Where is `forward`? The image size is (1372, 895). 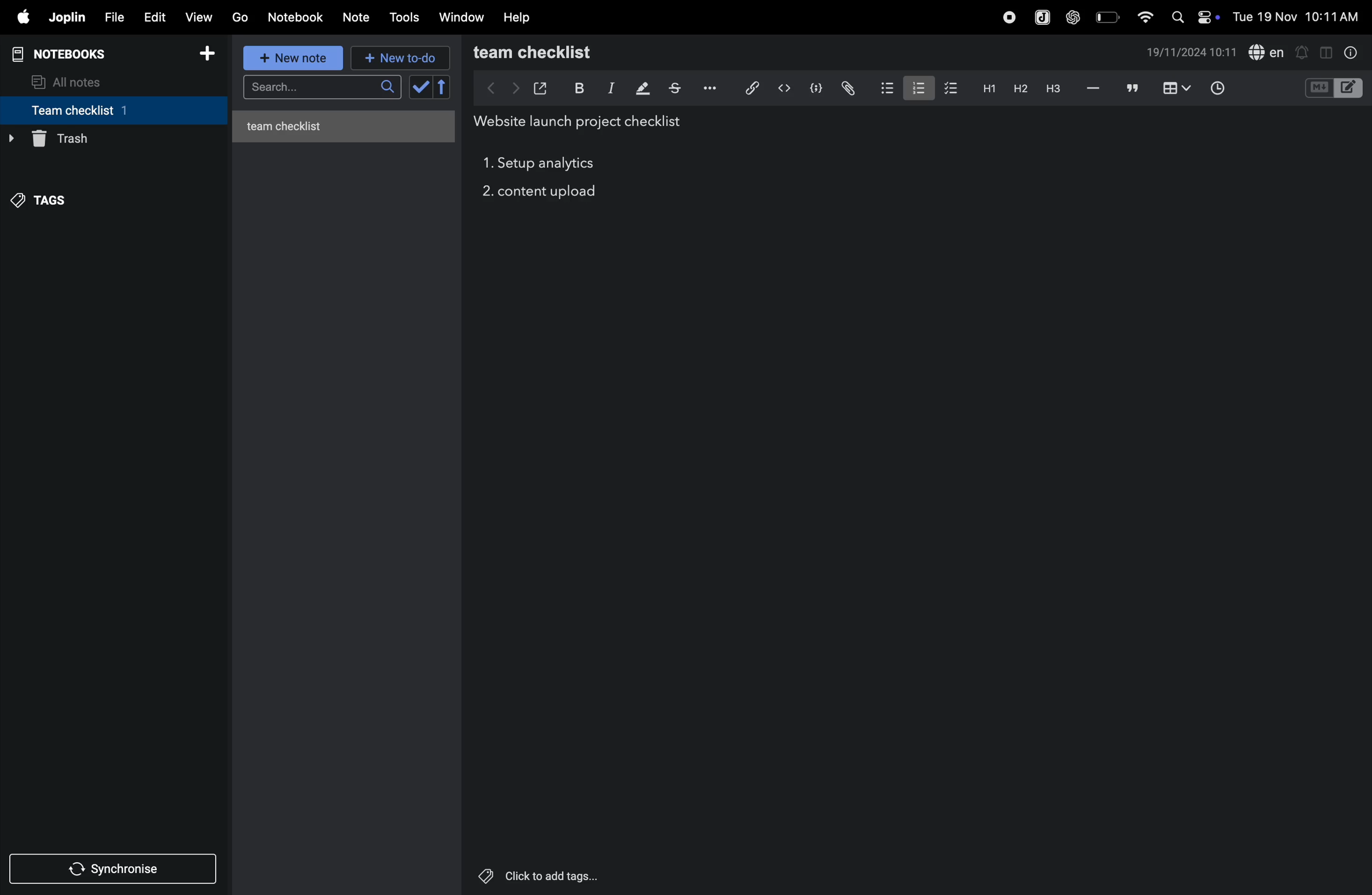 forward is located at coordinates (512, 88).